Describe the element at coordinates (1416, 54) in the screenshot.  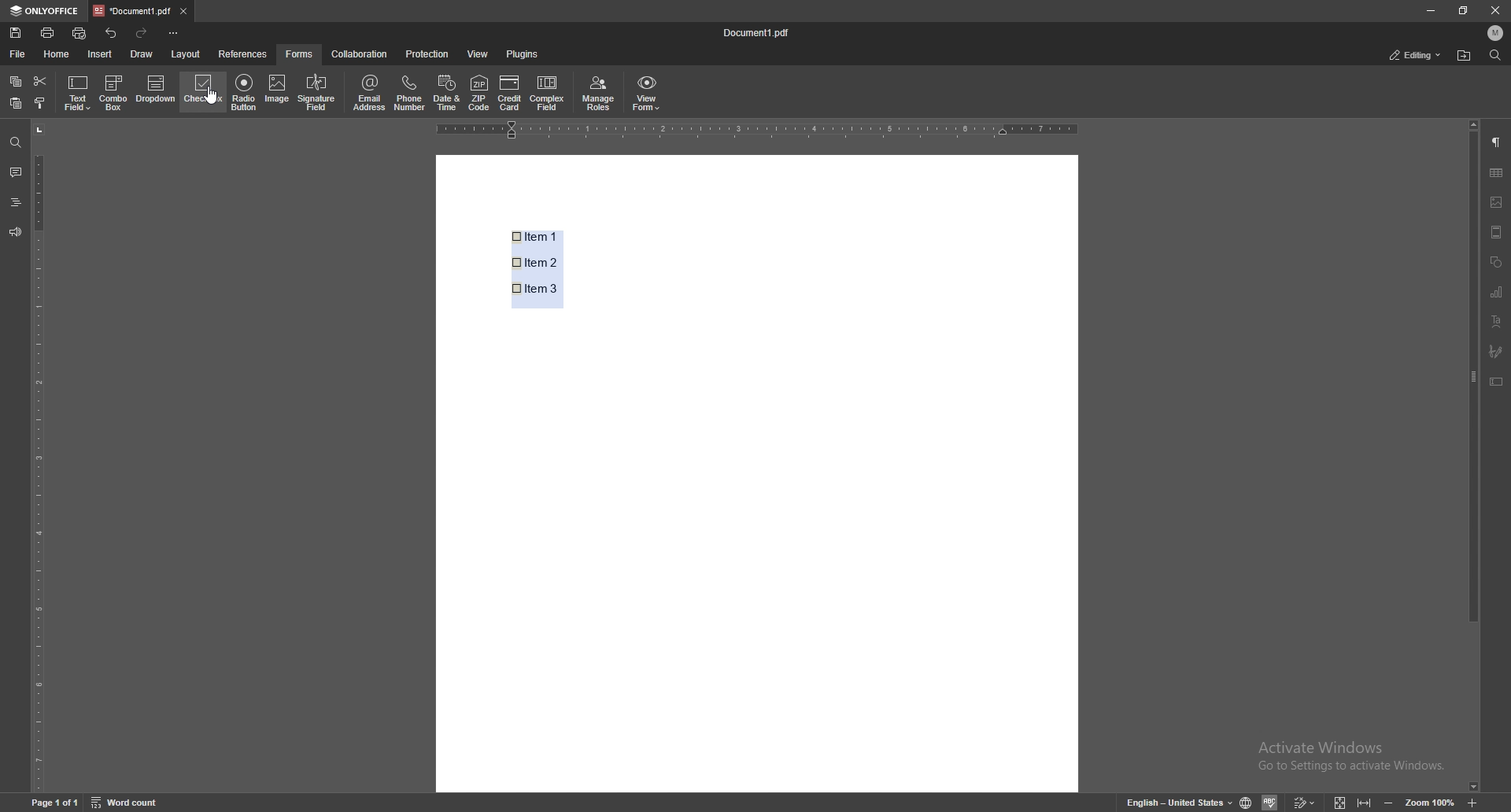
I see `status` at that location.